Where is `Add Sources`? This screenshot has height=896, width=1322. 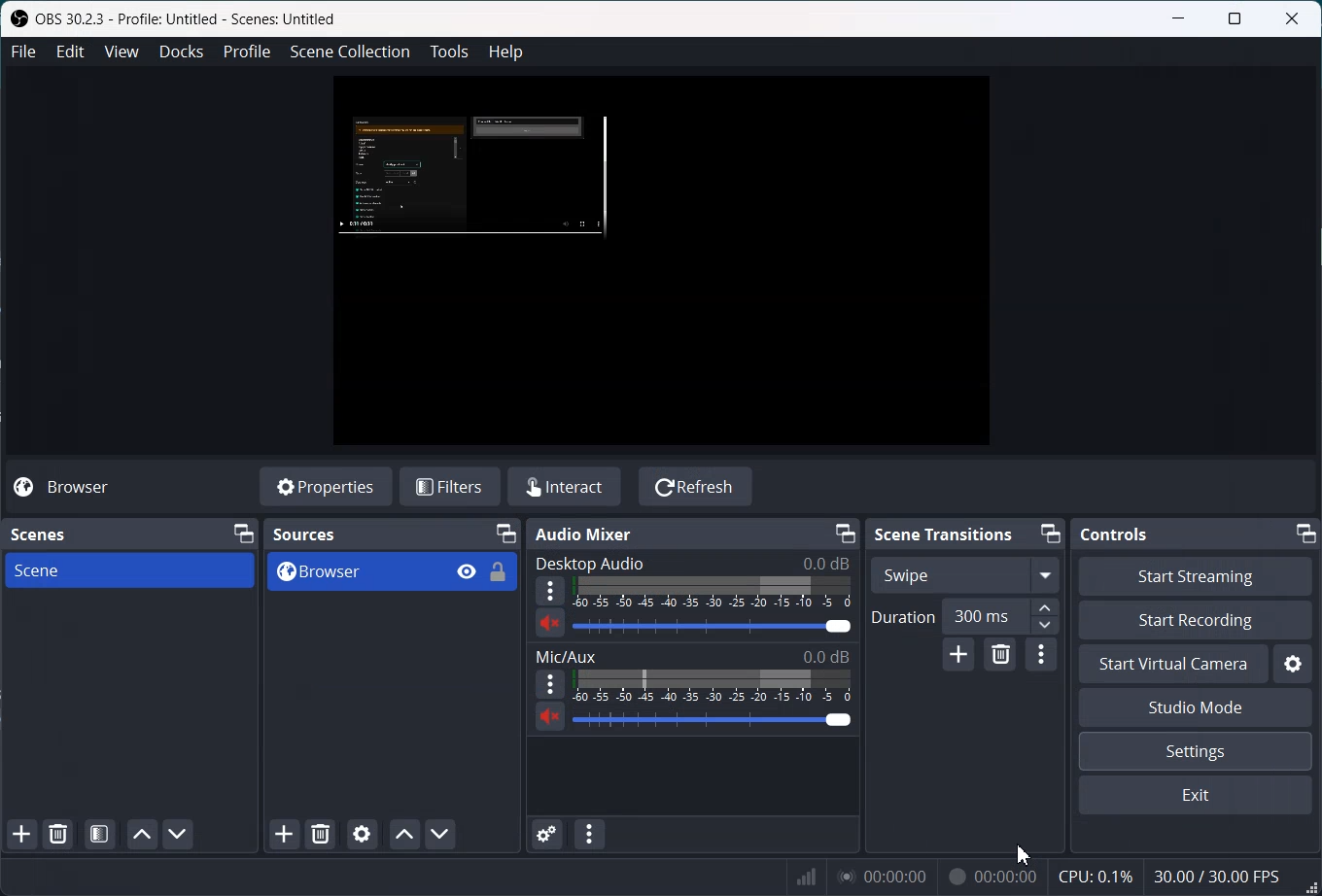 Add Sources is located at coordinates (284, 834).